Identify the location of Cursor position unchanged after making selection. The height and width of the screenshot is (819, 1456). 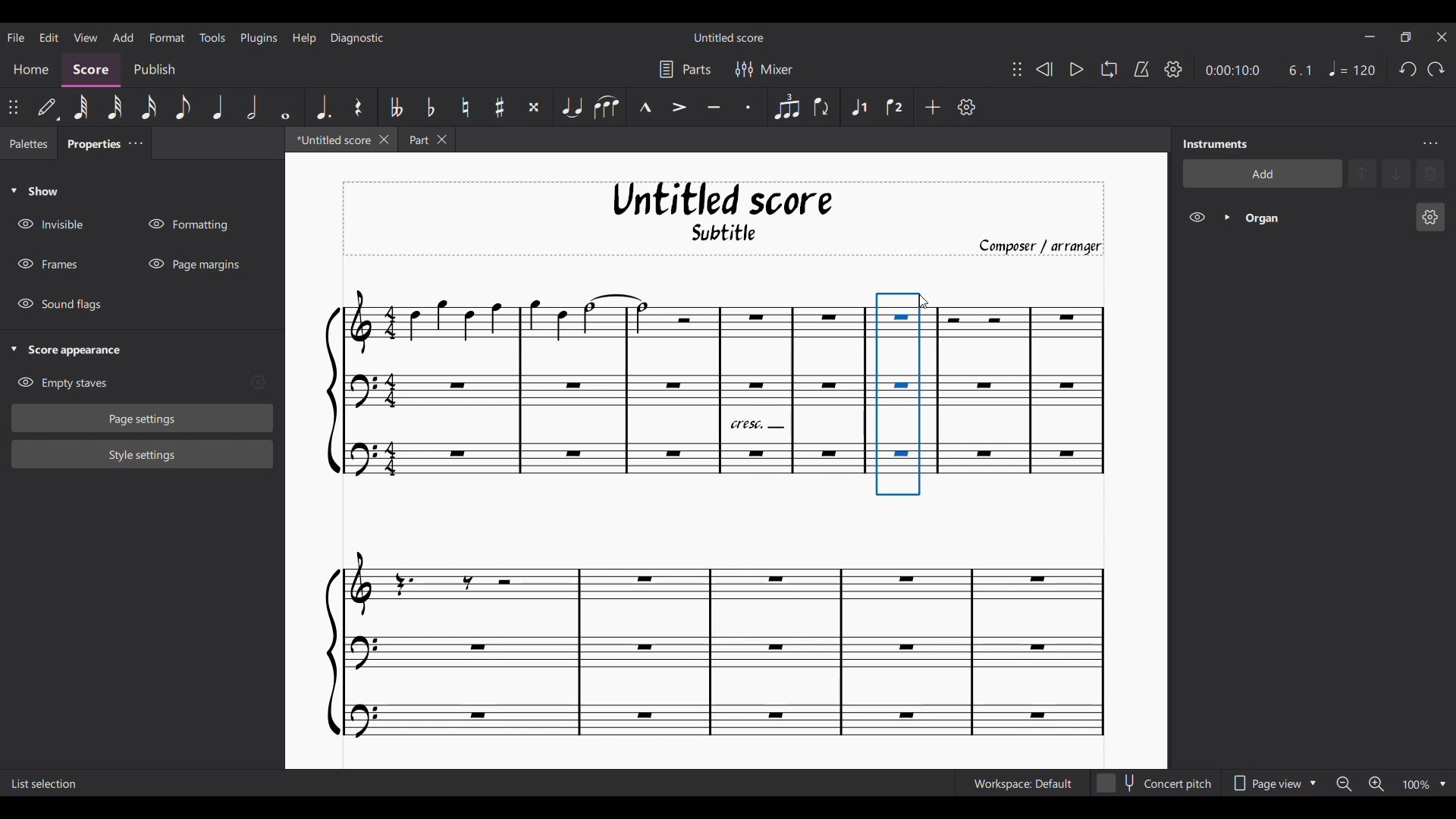
(923, 302).